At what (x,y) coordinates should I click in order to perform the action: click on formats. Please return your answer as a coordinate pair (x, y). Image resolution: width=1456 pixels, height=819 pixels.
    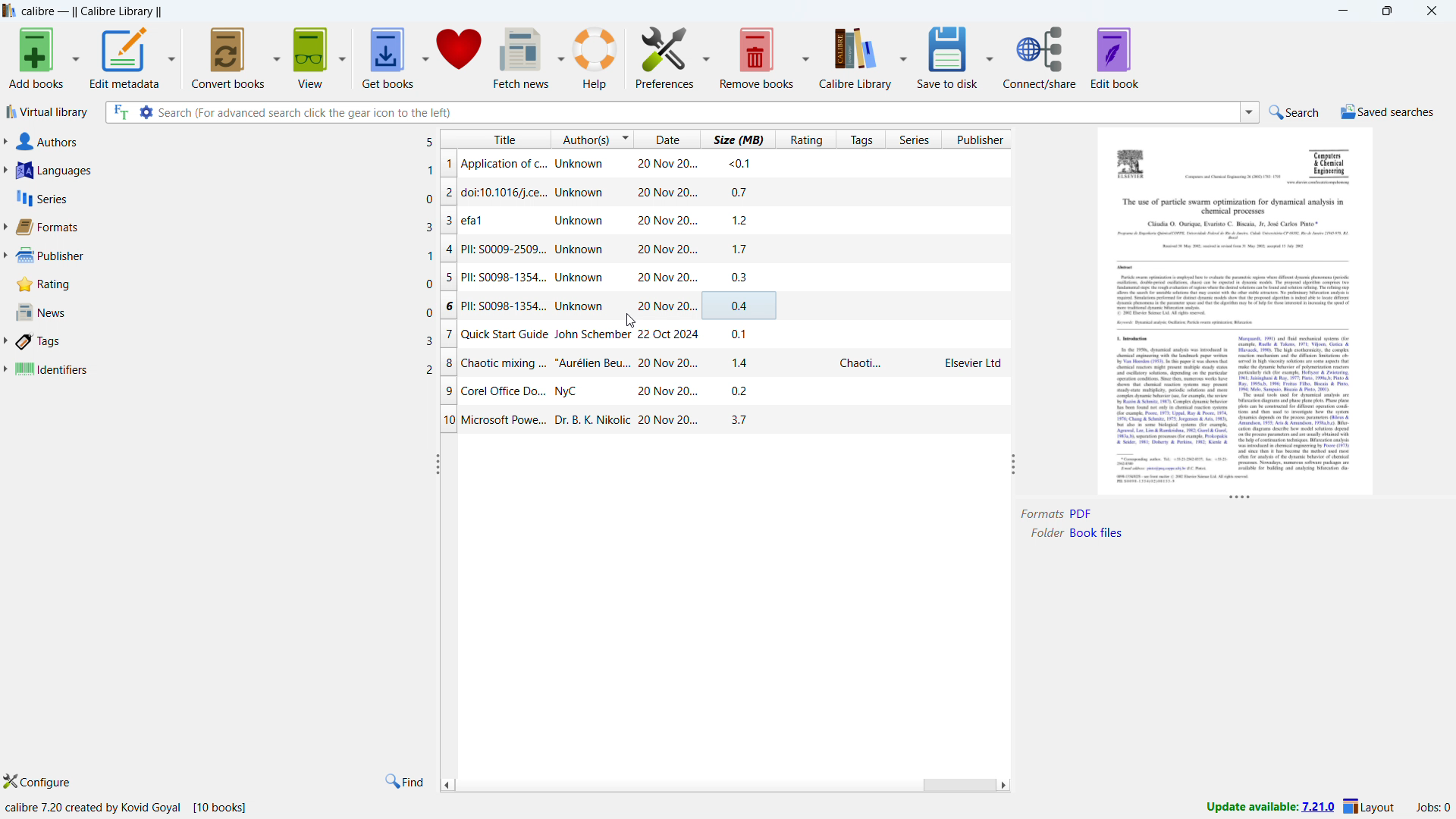
    Looking at the image, I should click on (219, 226).